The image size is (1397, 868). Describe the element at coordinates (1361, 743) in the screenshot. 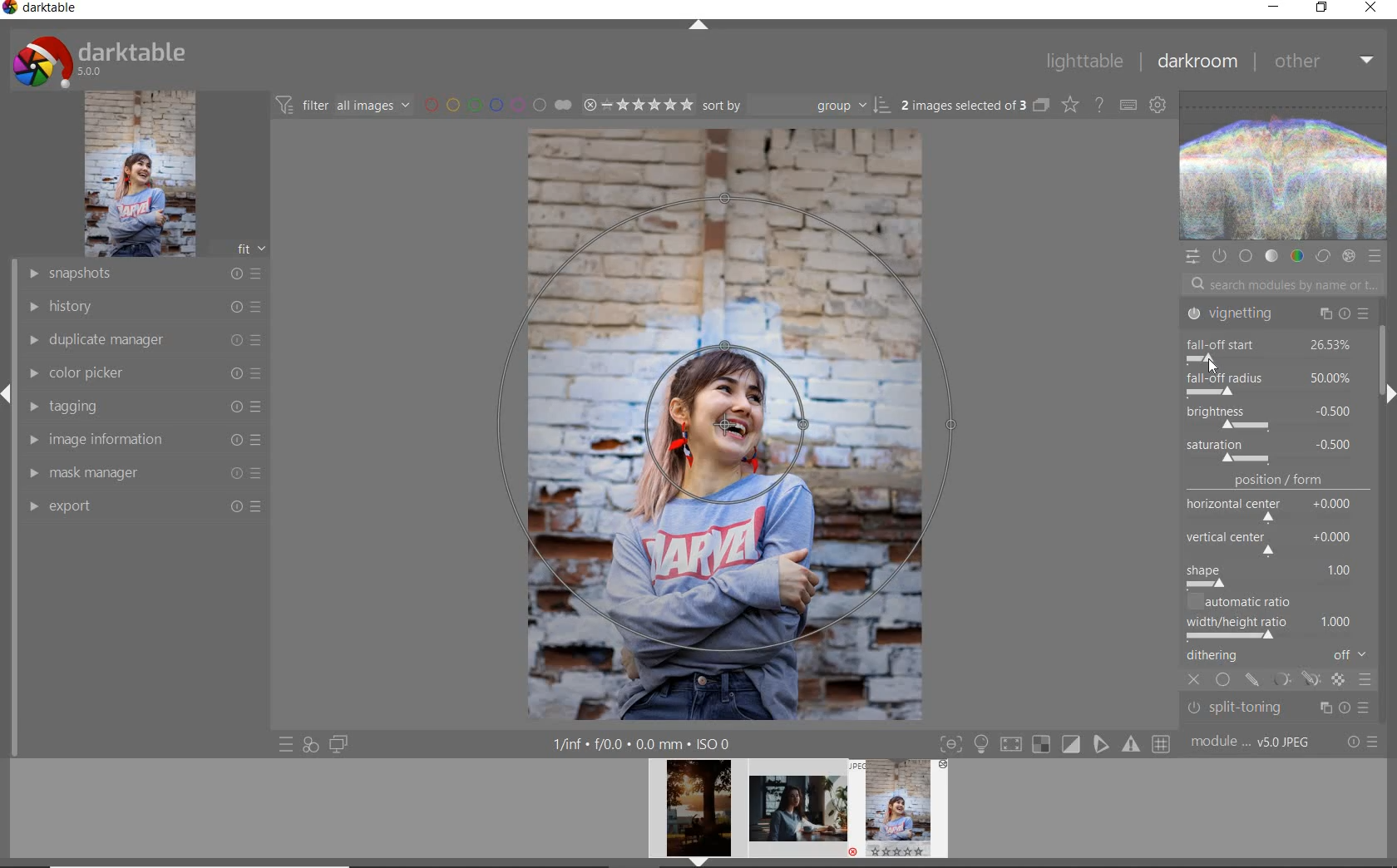

I see `reset or preset preference` at that location.